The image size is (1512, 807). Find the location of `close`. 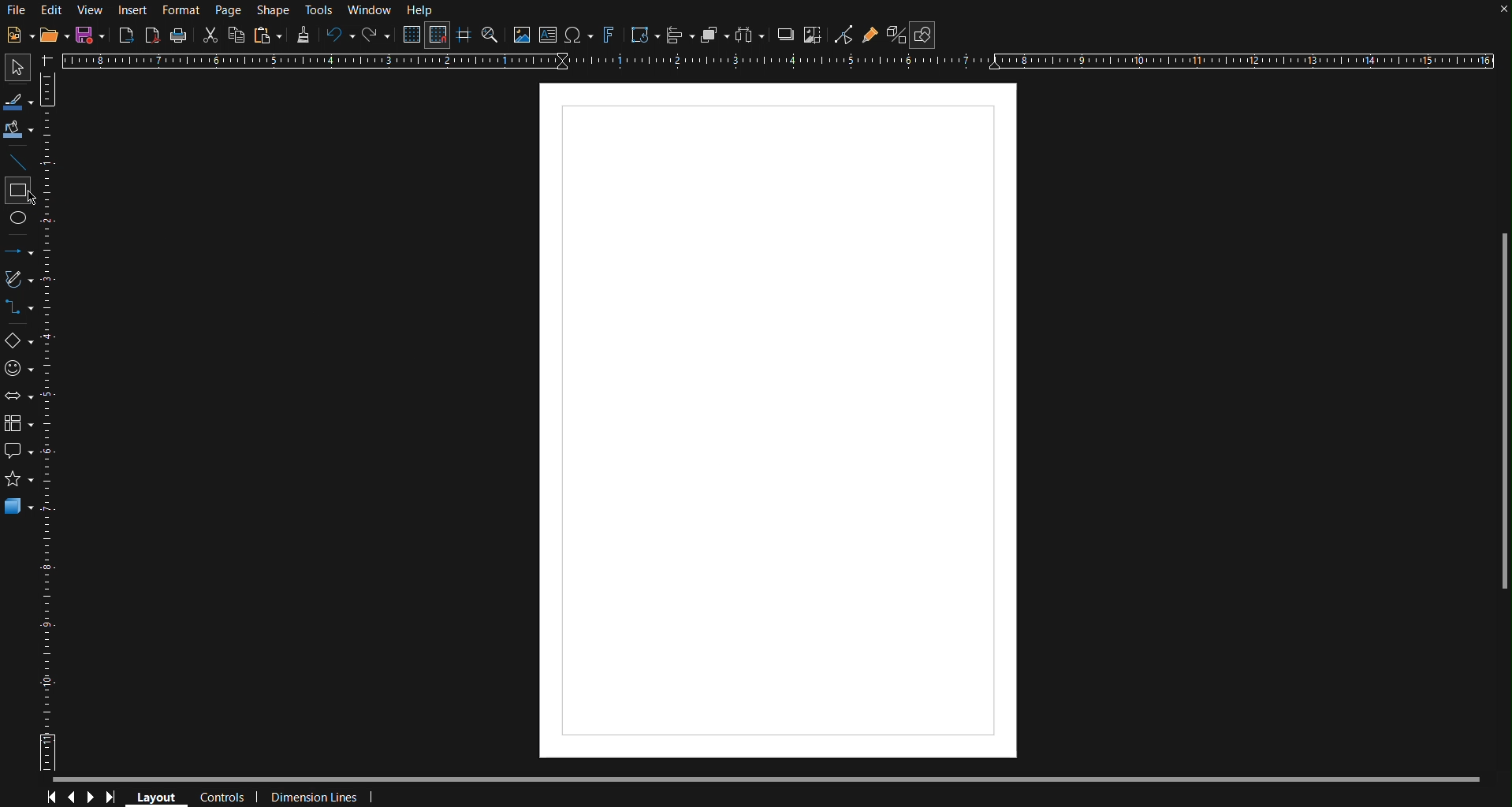

close is located at coordinates (1501, 13).